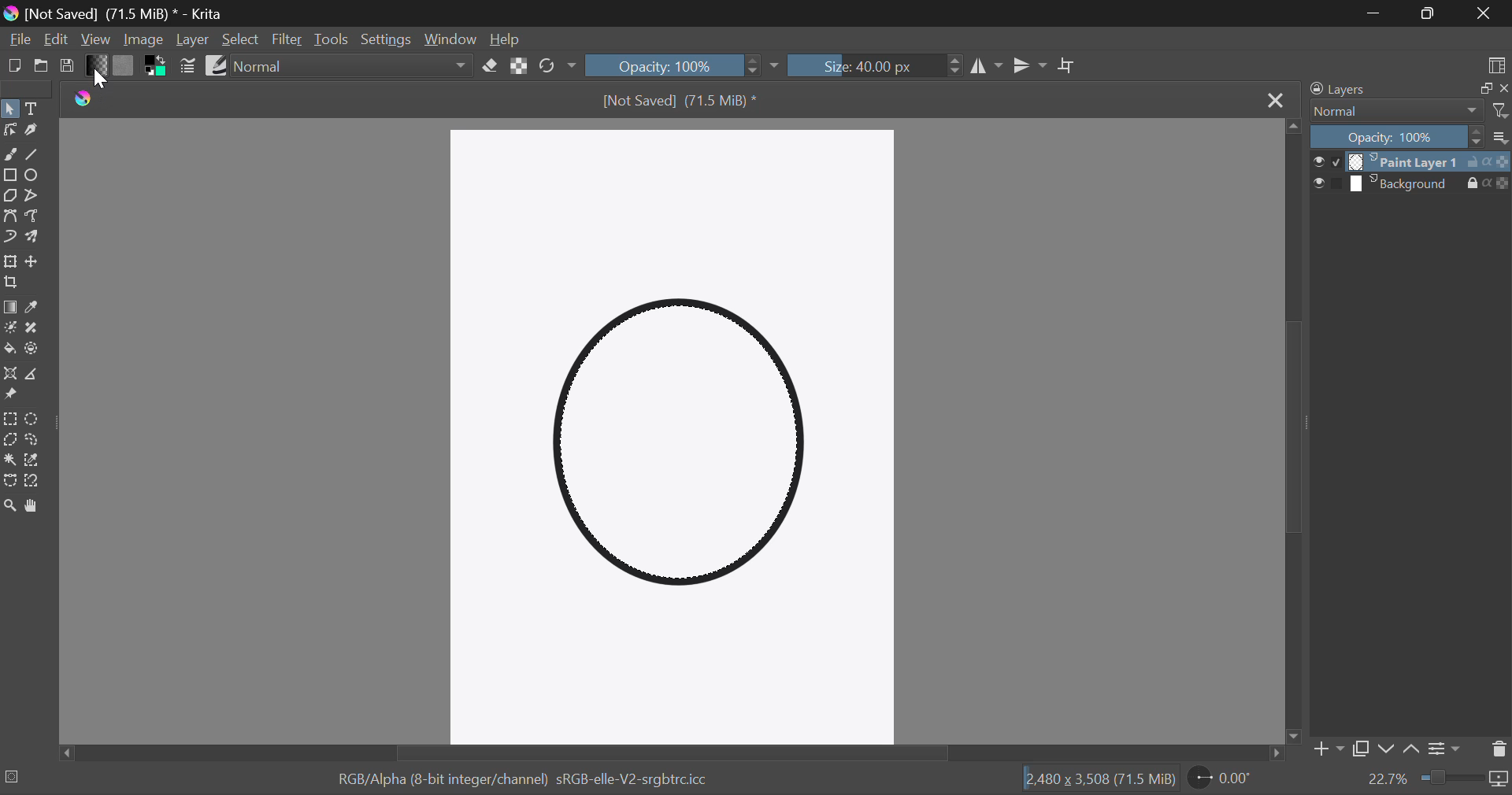  I want to click on Opacity, so click(1395, 138).